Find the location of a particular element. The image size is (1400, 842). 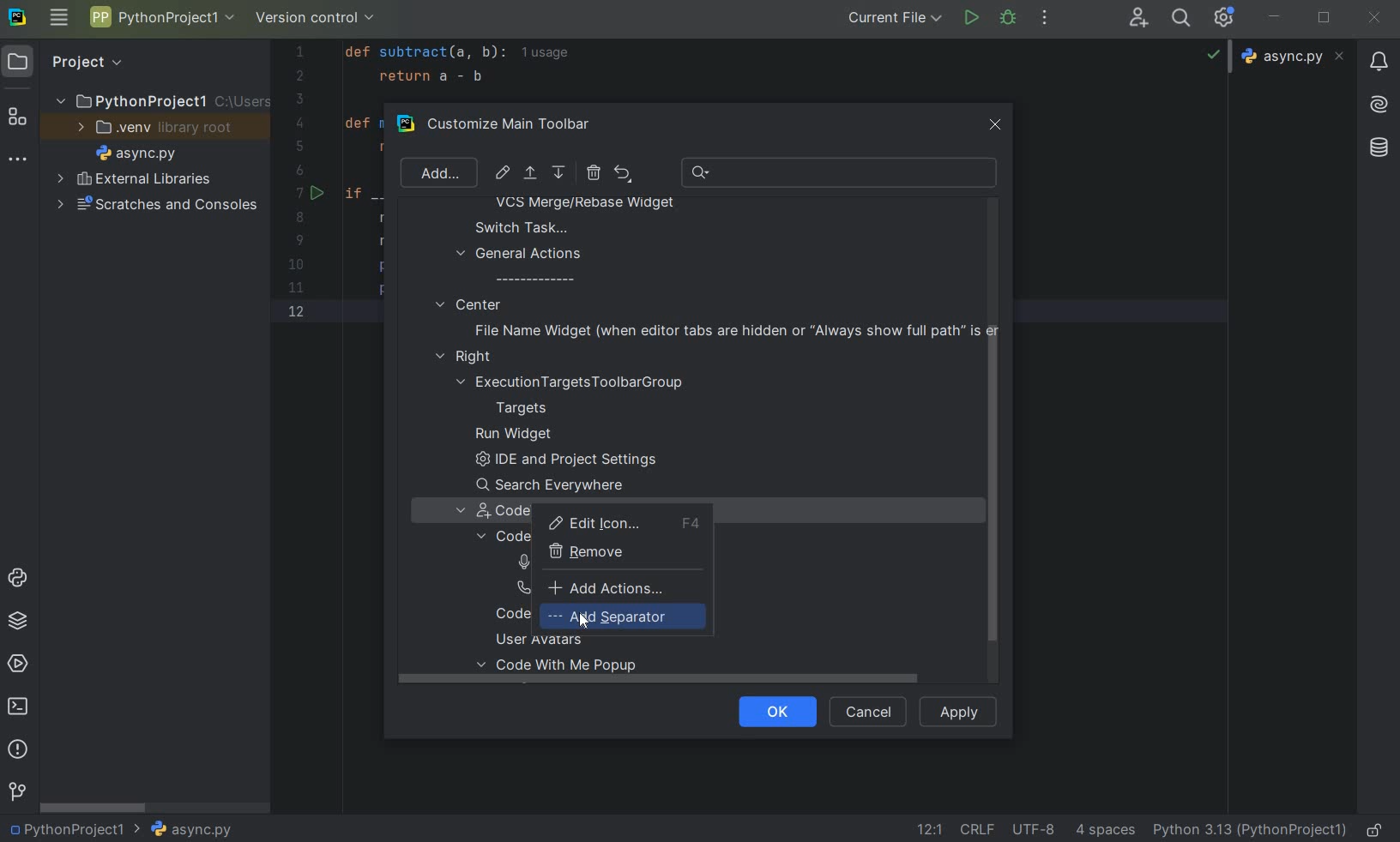

ide and project settings is located at coordinates (563, 462).